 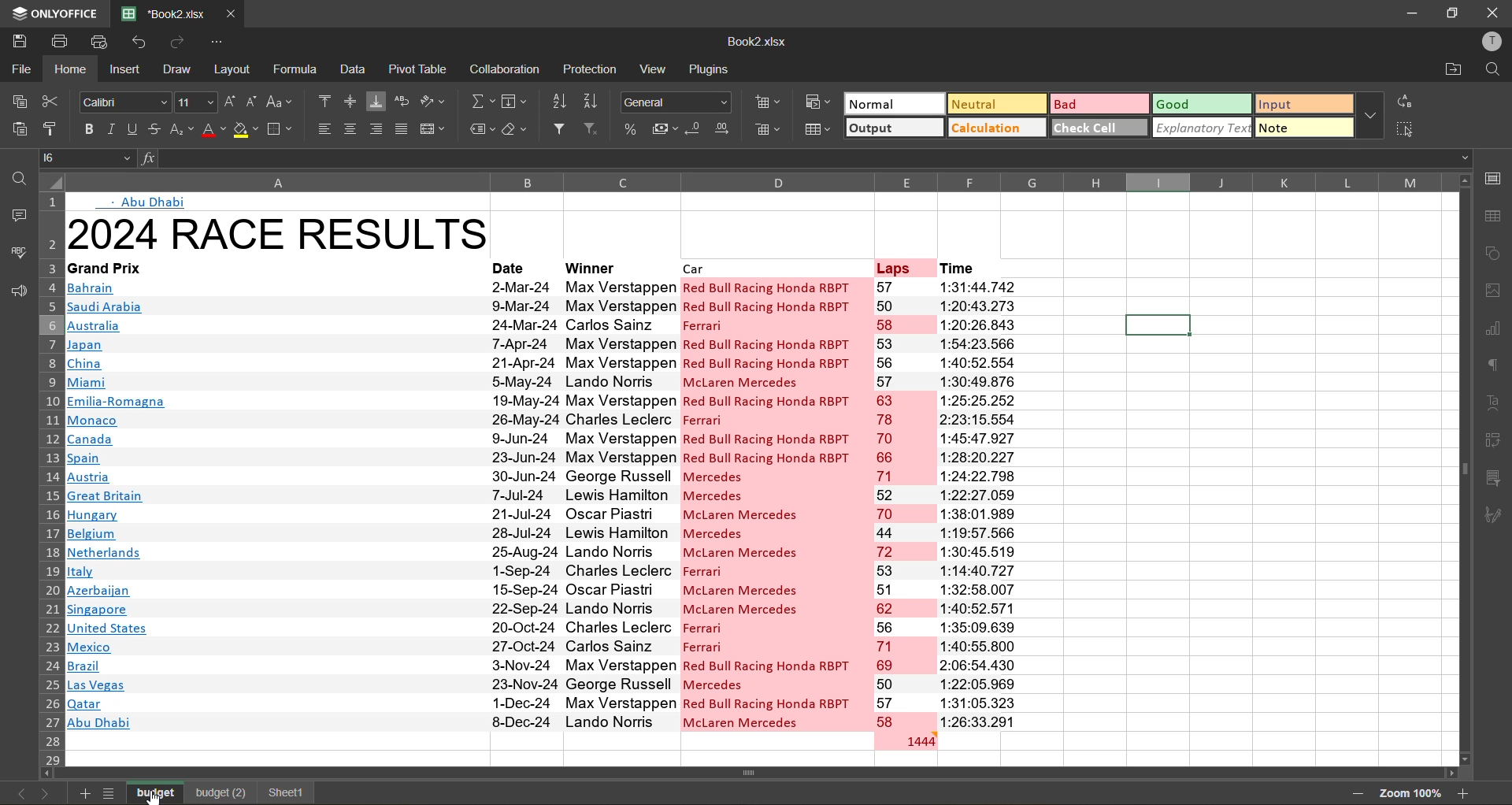 What do you see at coordinates (101, 40) in the screenshot?
I see `quick print` at bounding box center [101, 40].